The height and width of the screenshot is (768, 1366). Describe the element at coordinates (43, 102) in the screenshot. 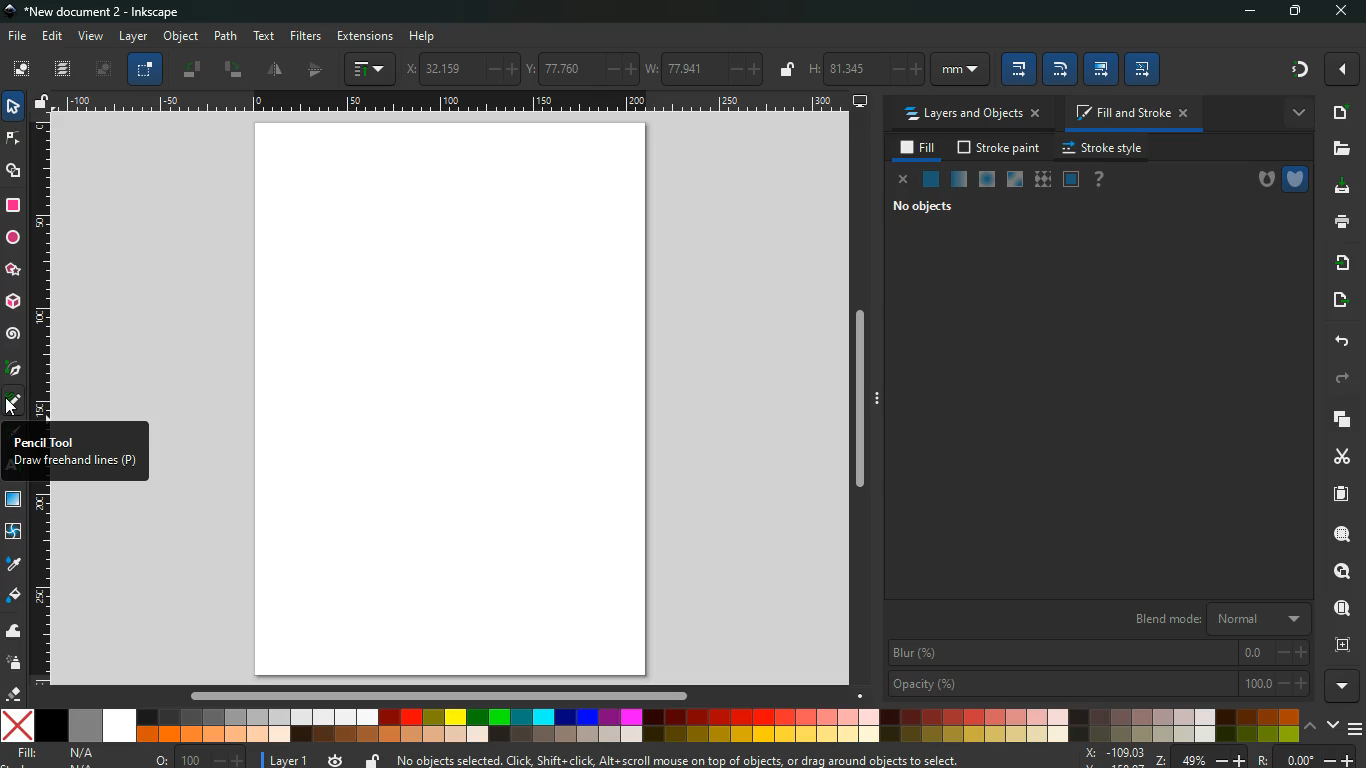

I see `unlock` at that location.